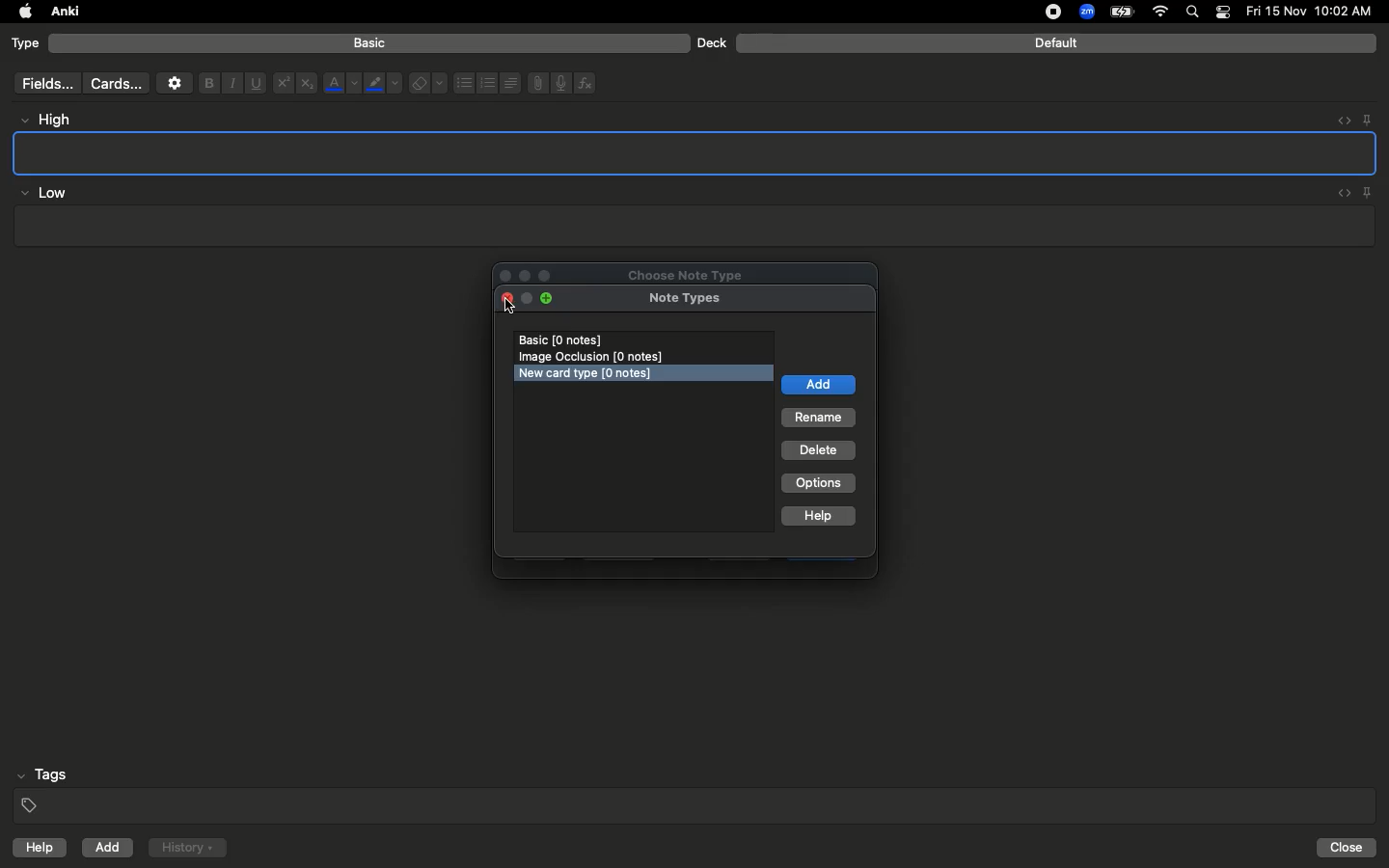 The image size is (1389, 868). Describe the element at coordinates (187, 848) in the screenshot. I see `History` at that location.